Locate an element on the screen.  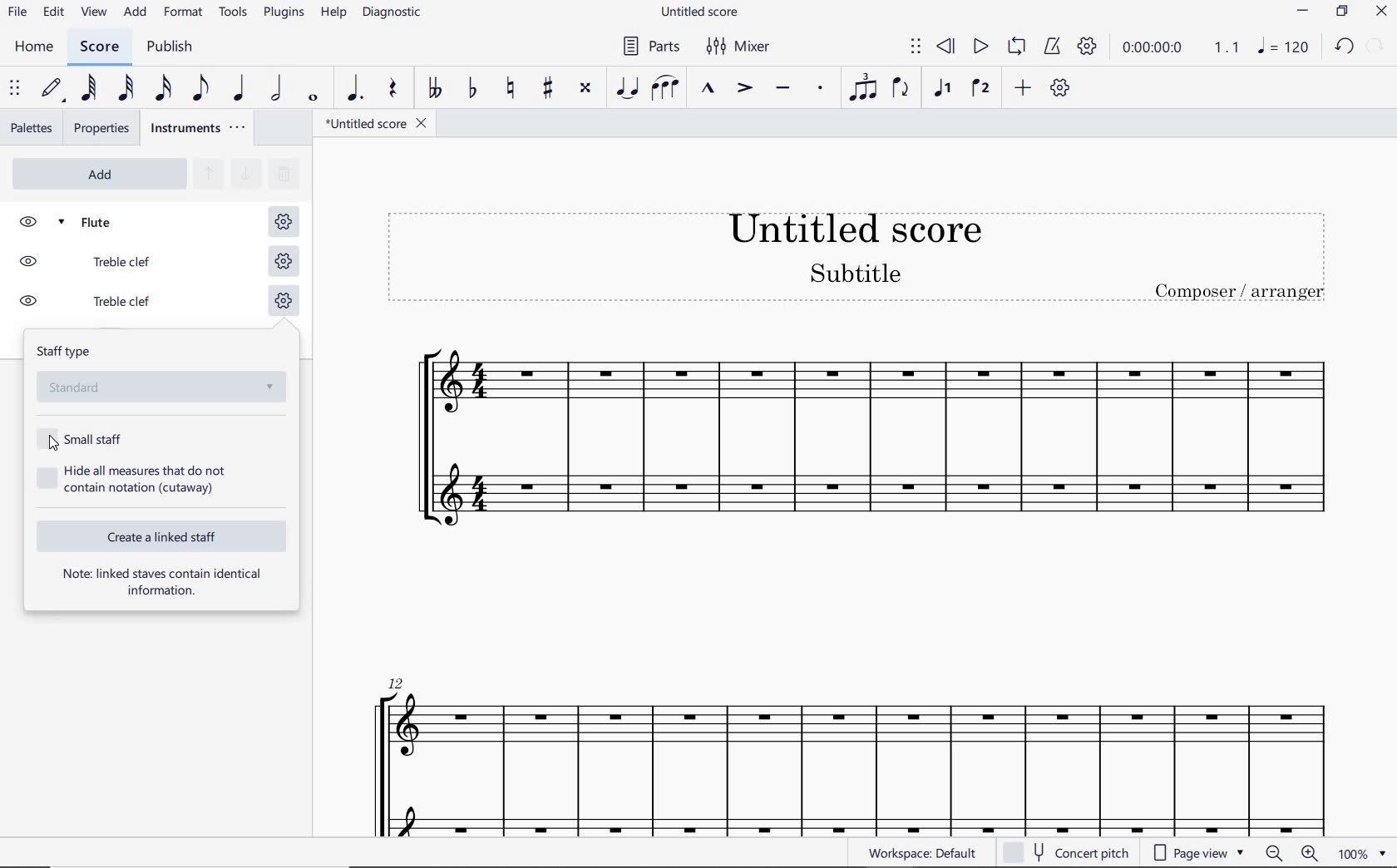
PARTS is located at coordinates (652, 47).